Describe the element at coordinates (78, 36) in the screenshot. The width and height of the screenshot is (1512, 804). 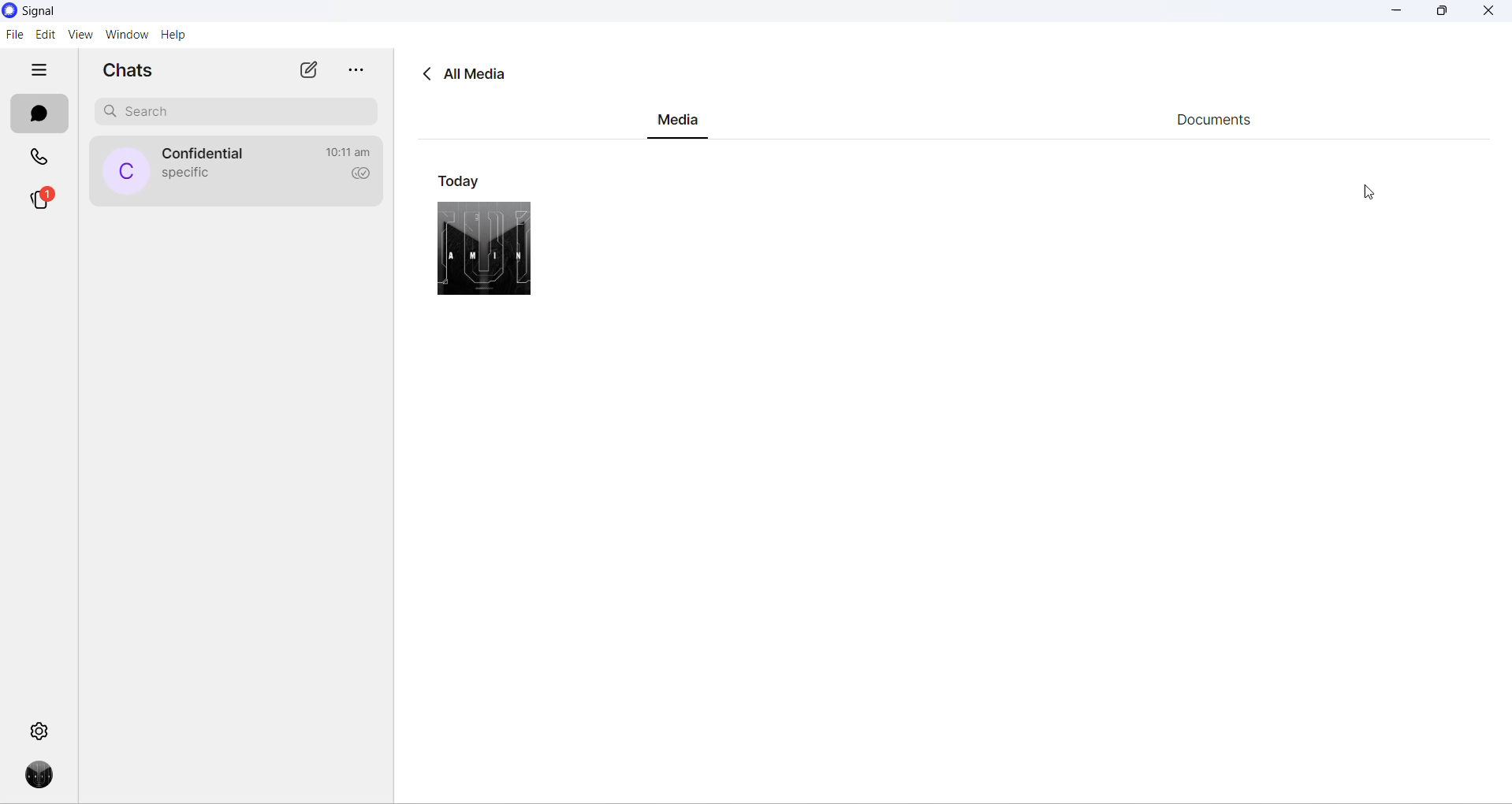
I see `view` at that location.